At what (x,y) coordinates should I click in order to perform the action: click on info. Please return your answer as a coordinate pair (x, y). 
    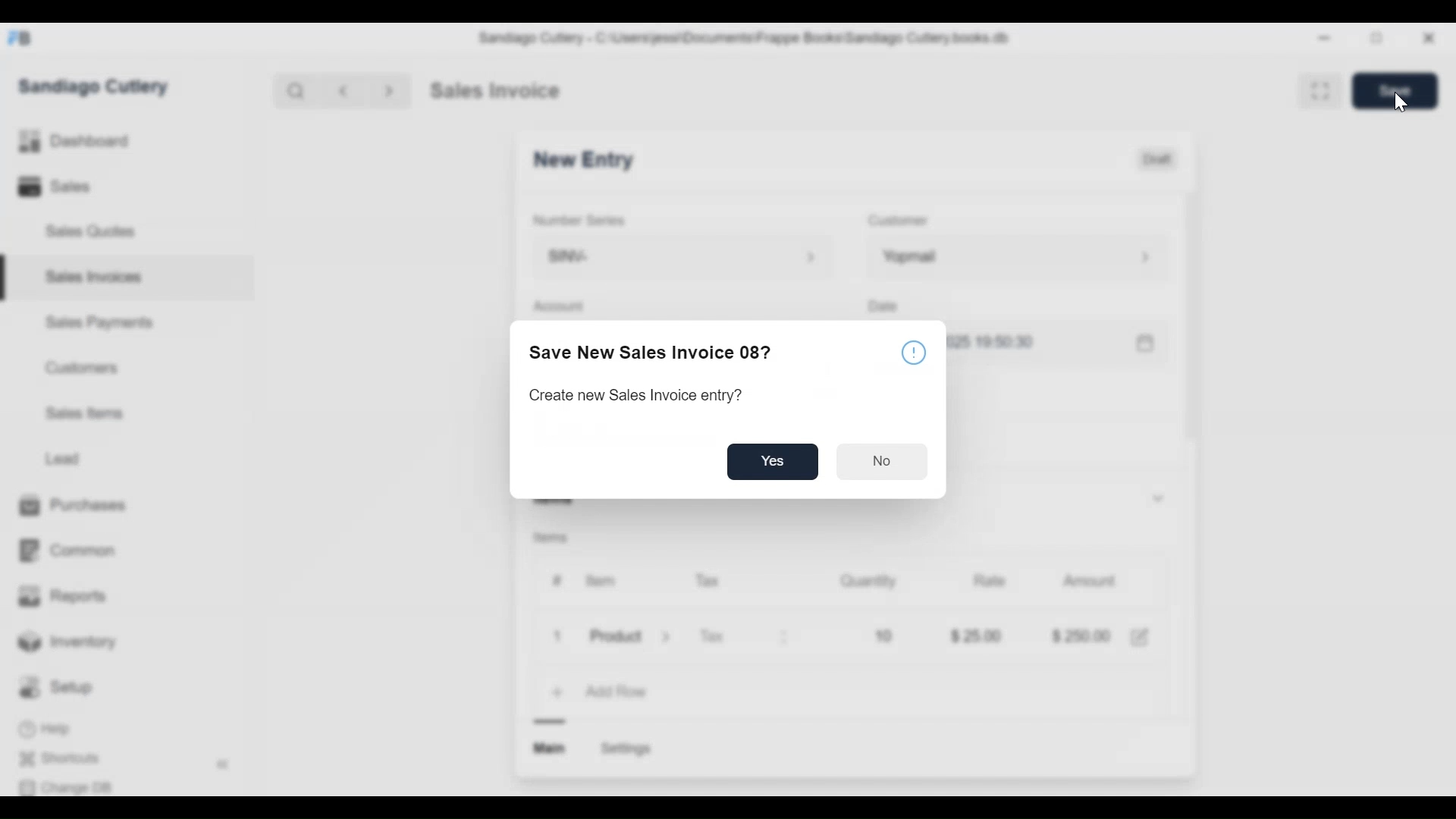
    Looking at the image, I should click on (913, 350).